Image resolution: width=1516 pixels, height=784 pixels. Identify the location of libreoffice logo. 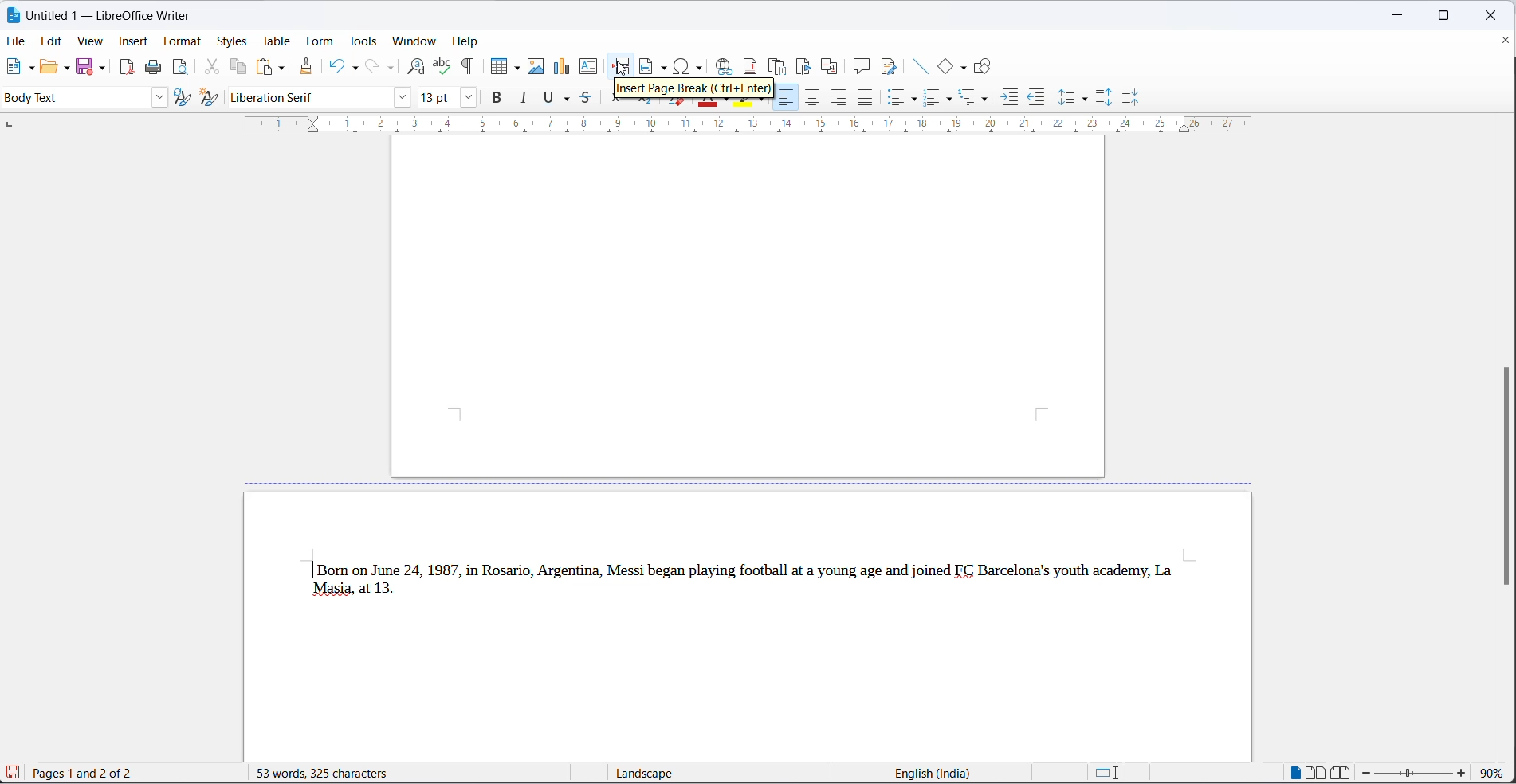
(11, 14).